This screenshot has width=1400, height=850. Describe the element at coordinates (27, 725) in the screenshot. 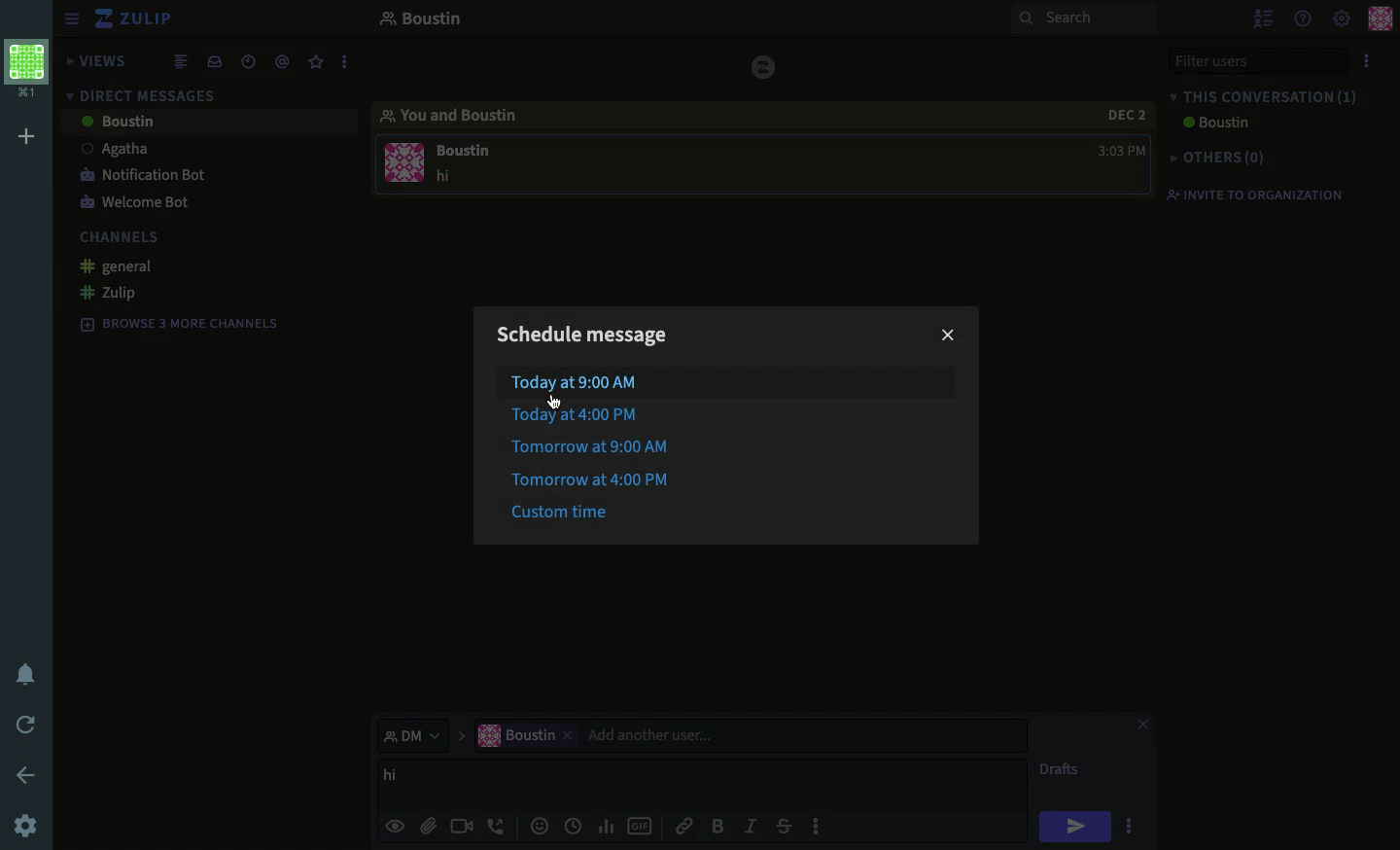

I see `refresh` at that location.